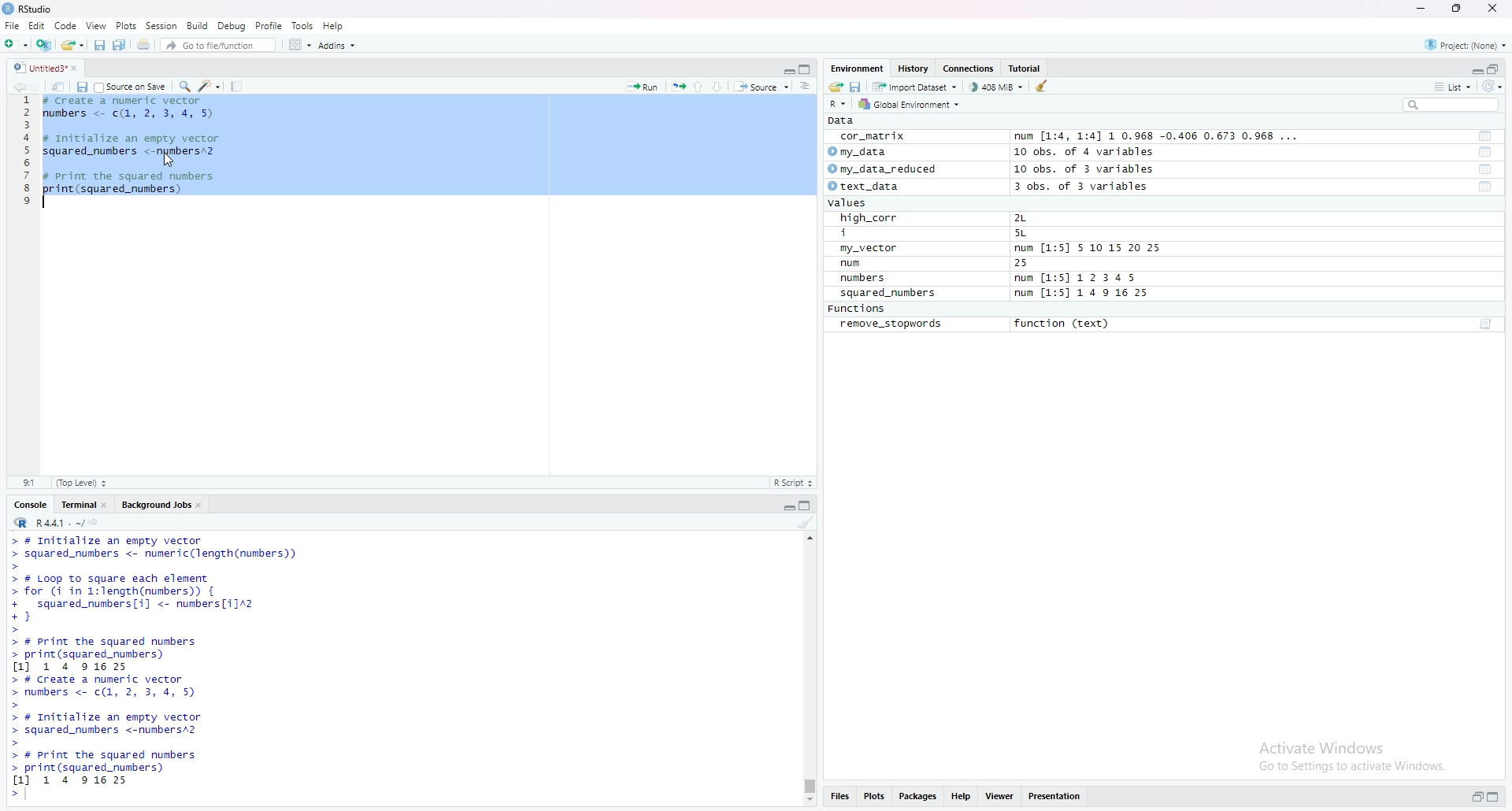 This screenshot has height=811, width=1512. I want to click on Presentation, so click(1055, 797).